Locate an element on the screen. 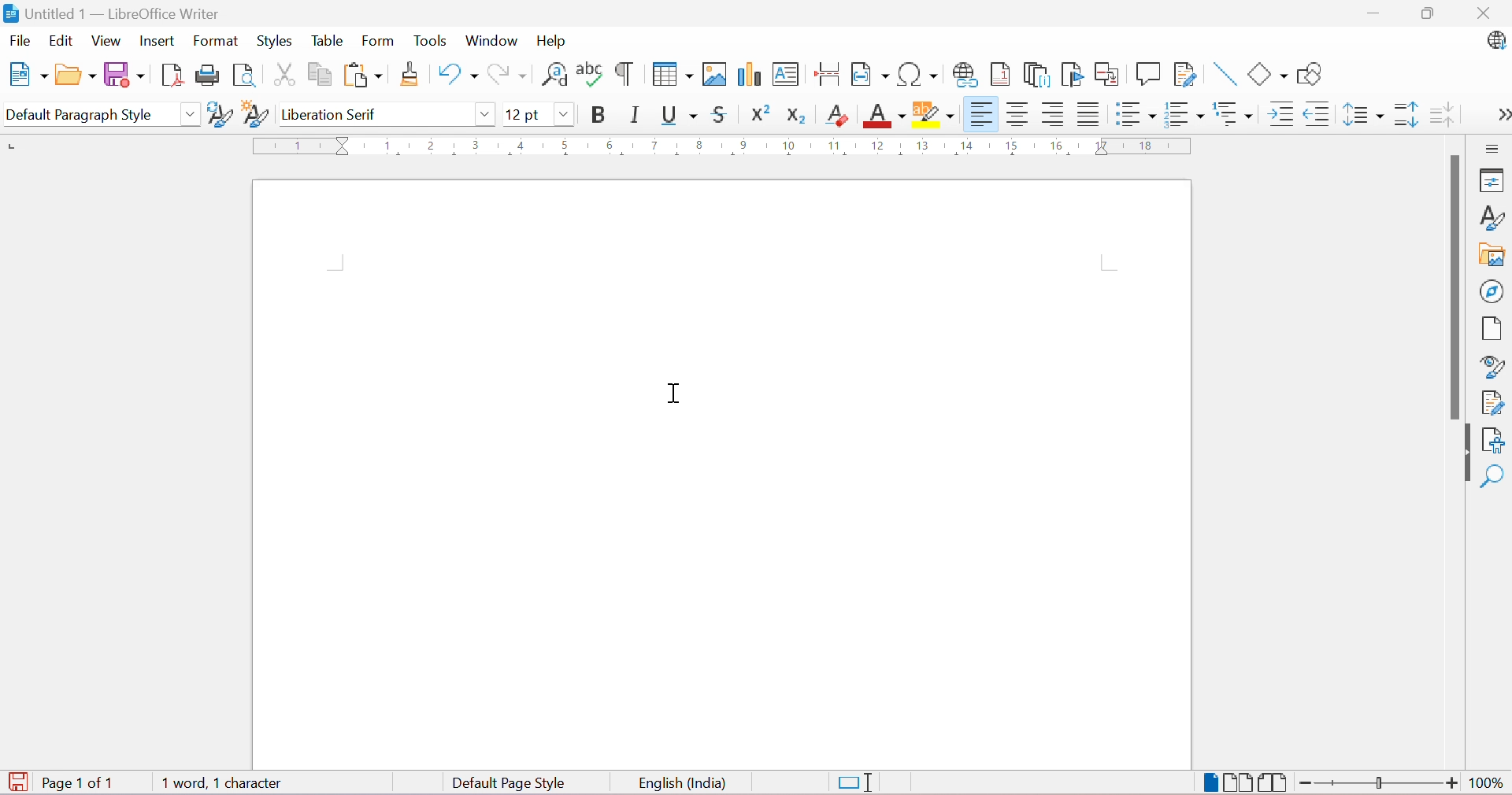  New Style from Selection is located at coordinates (254, 113).